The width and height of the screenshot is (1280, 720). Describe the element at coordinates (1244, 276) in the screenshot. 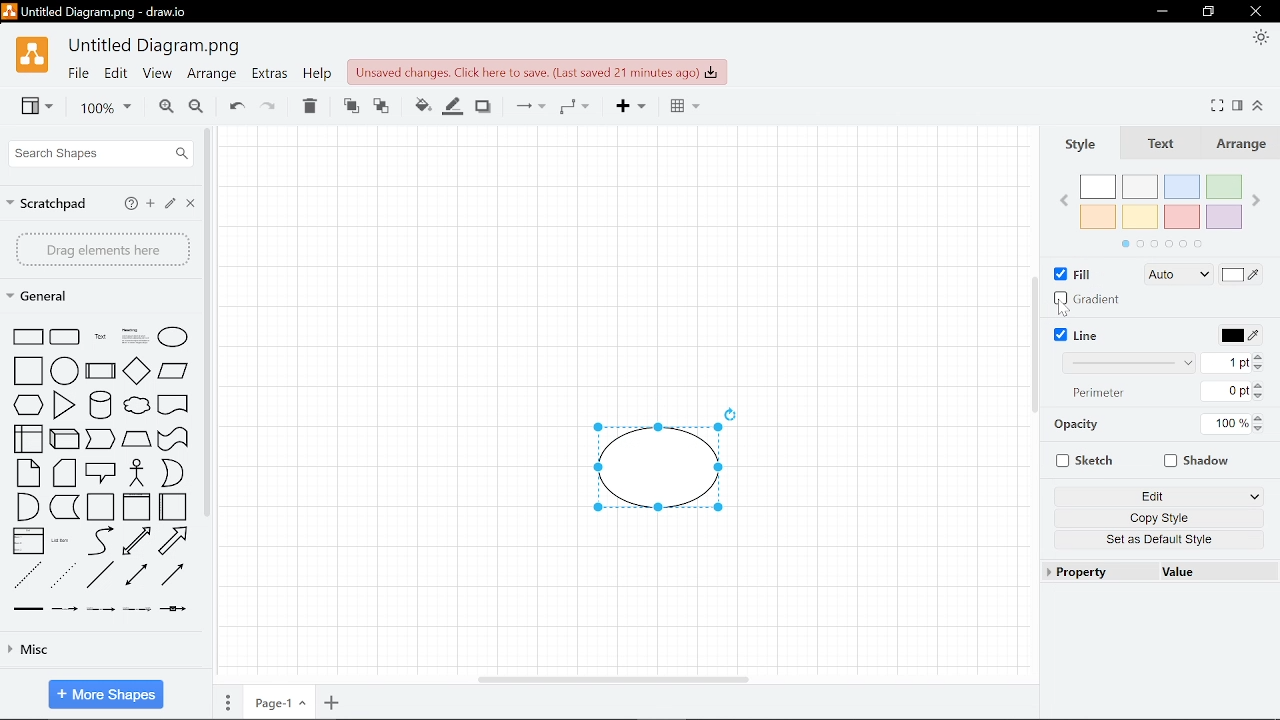

I see `Fill with color` at that location.